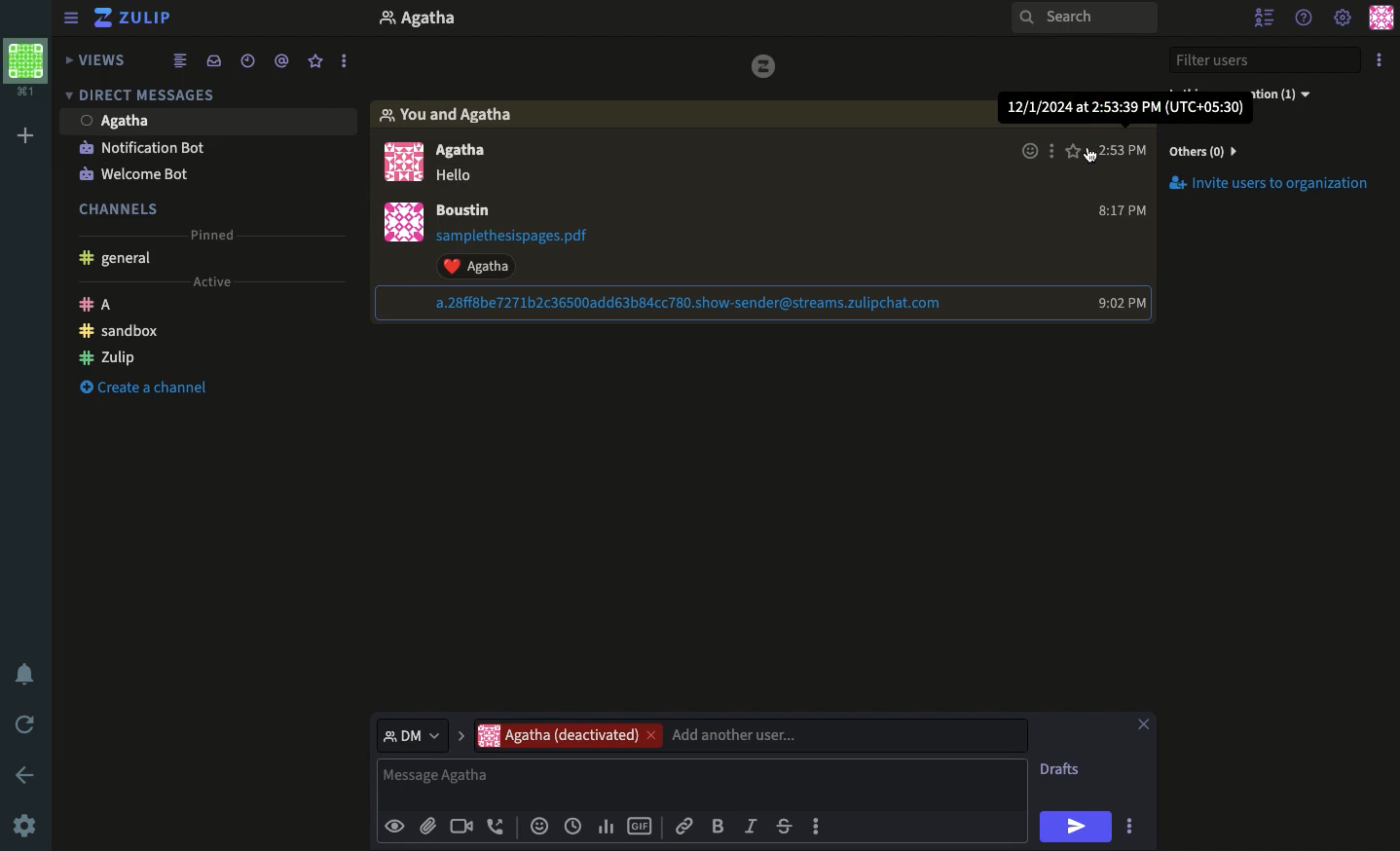 The image size is (1400, 851). I want to click on Channels, so click(121, 208).